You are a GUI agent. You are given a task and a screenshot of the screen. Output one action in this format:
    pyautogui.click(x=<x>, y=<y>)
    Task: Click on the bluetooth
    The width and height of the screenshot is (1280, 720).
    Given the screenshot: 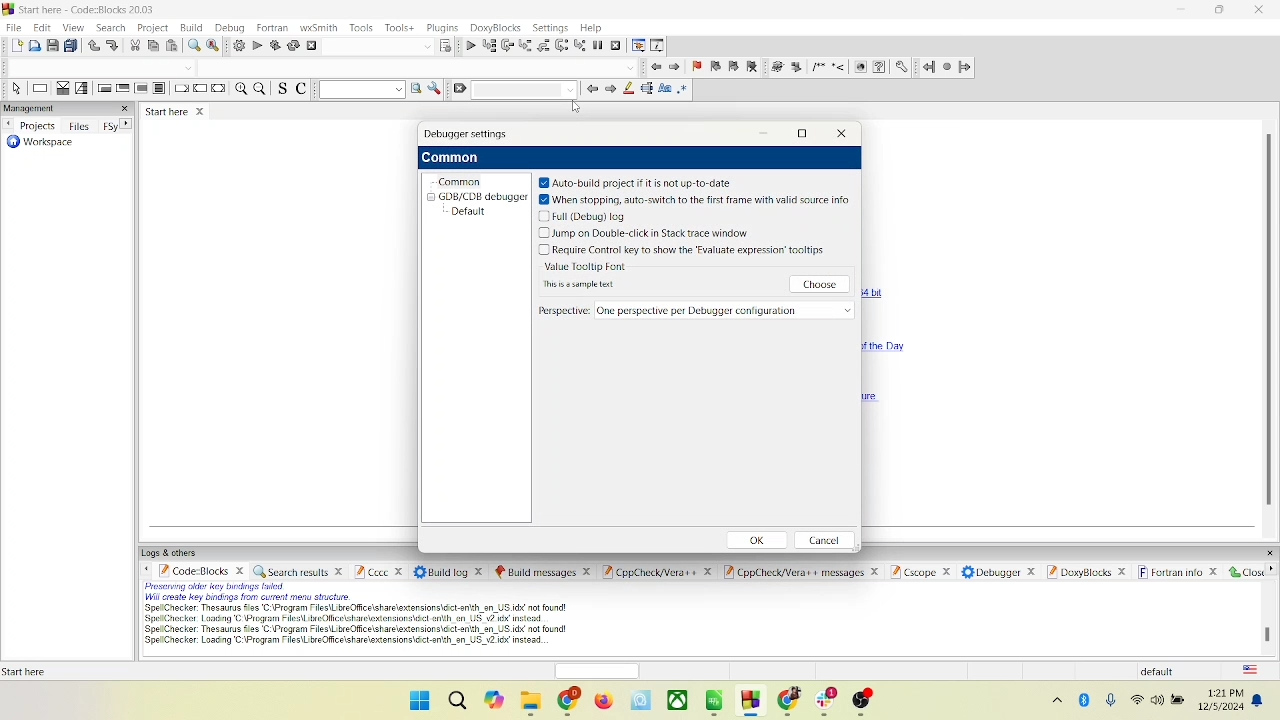 What is the action you would take?
    pyautogui.click(x=1086, y=703)
    